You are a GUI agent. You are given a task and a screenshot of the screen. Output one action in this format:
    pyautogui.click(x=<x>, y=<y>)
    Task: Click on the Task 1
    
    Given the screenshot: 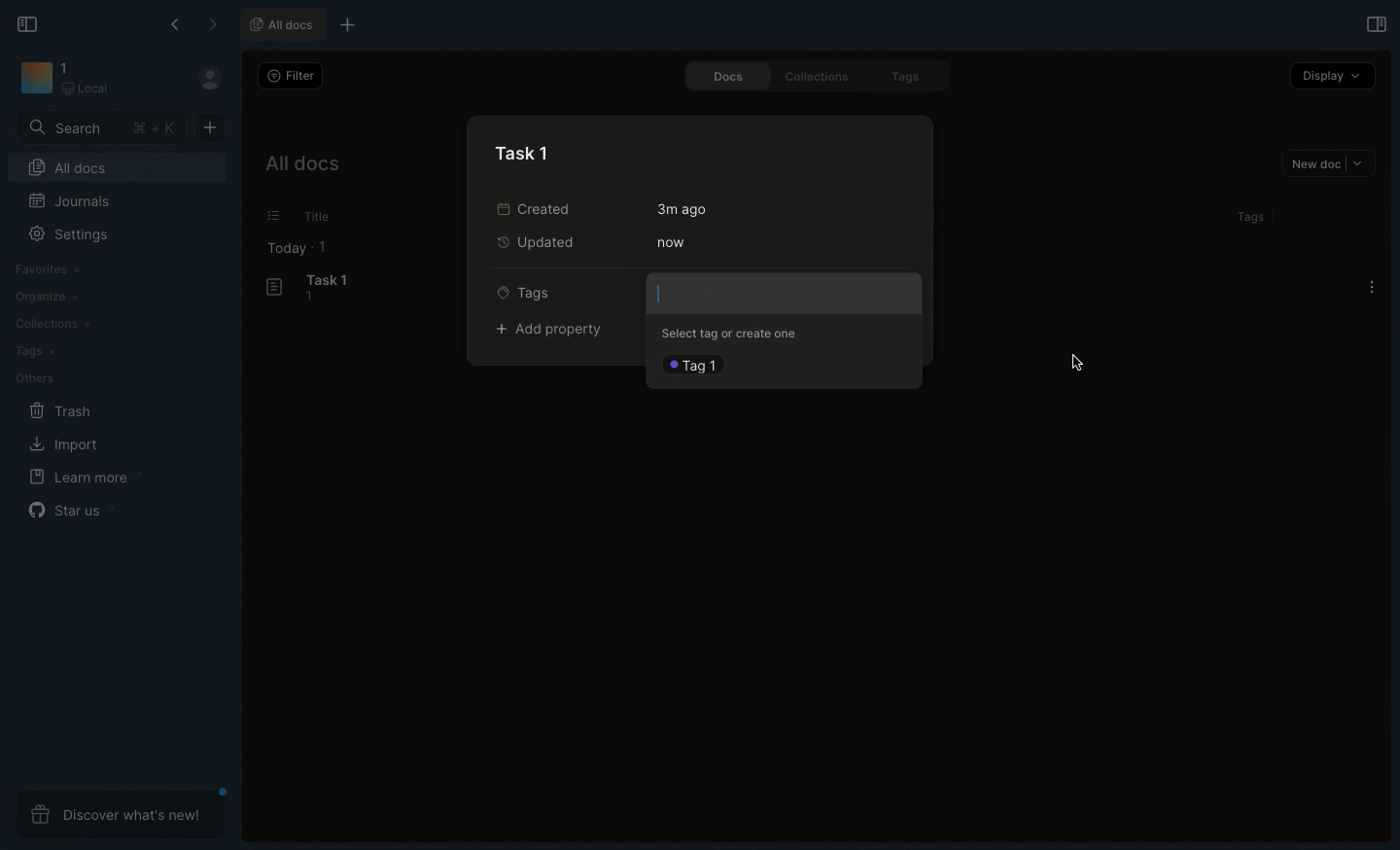 What is the action you would take?
    pyautogui.click(x=311, y=288)
    